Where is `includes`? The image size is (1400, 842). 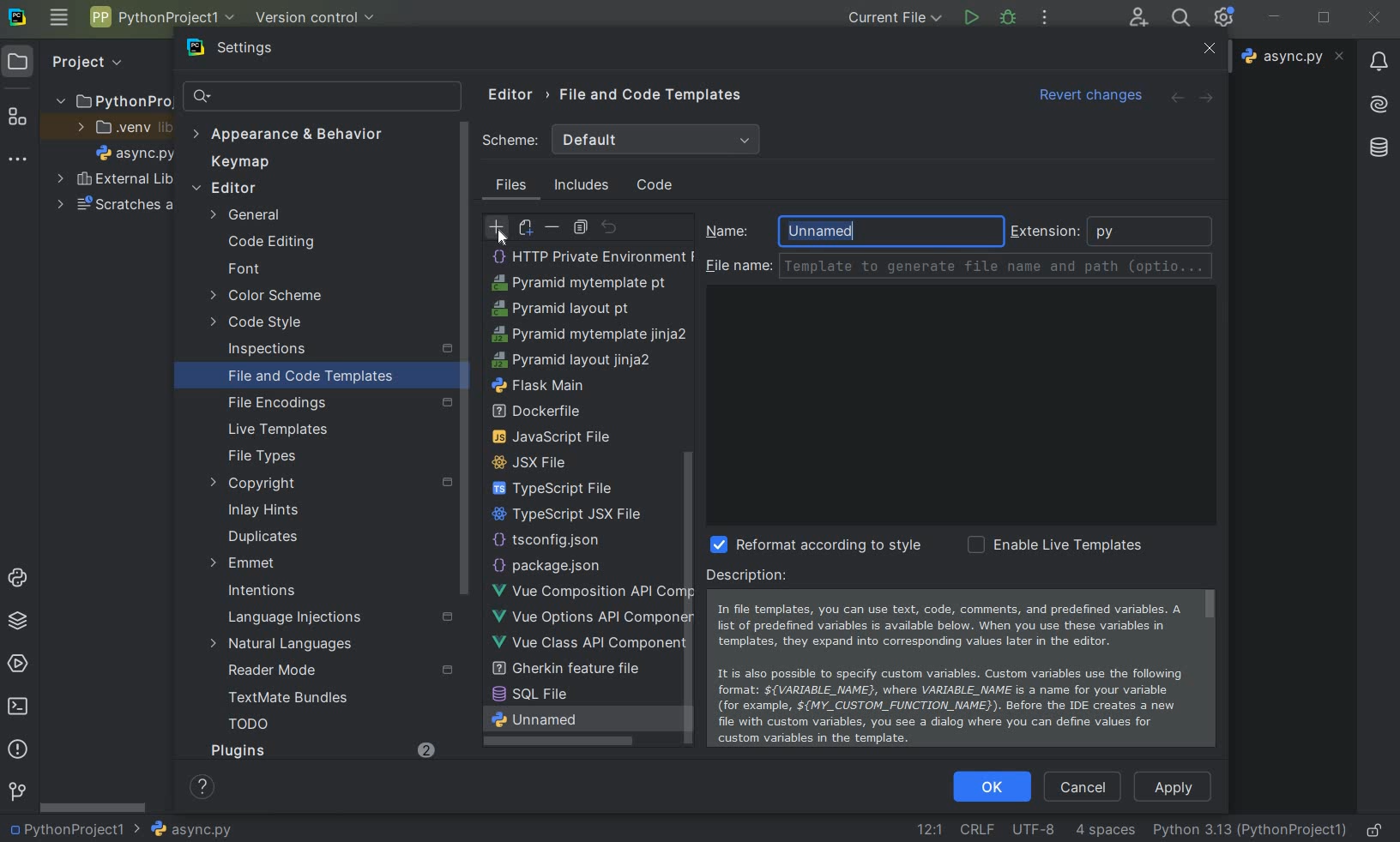
includes is located at coordinates (582, 186).